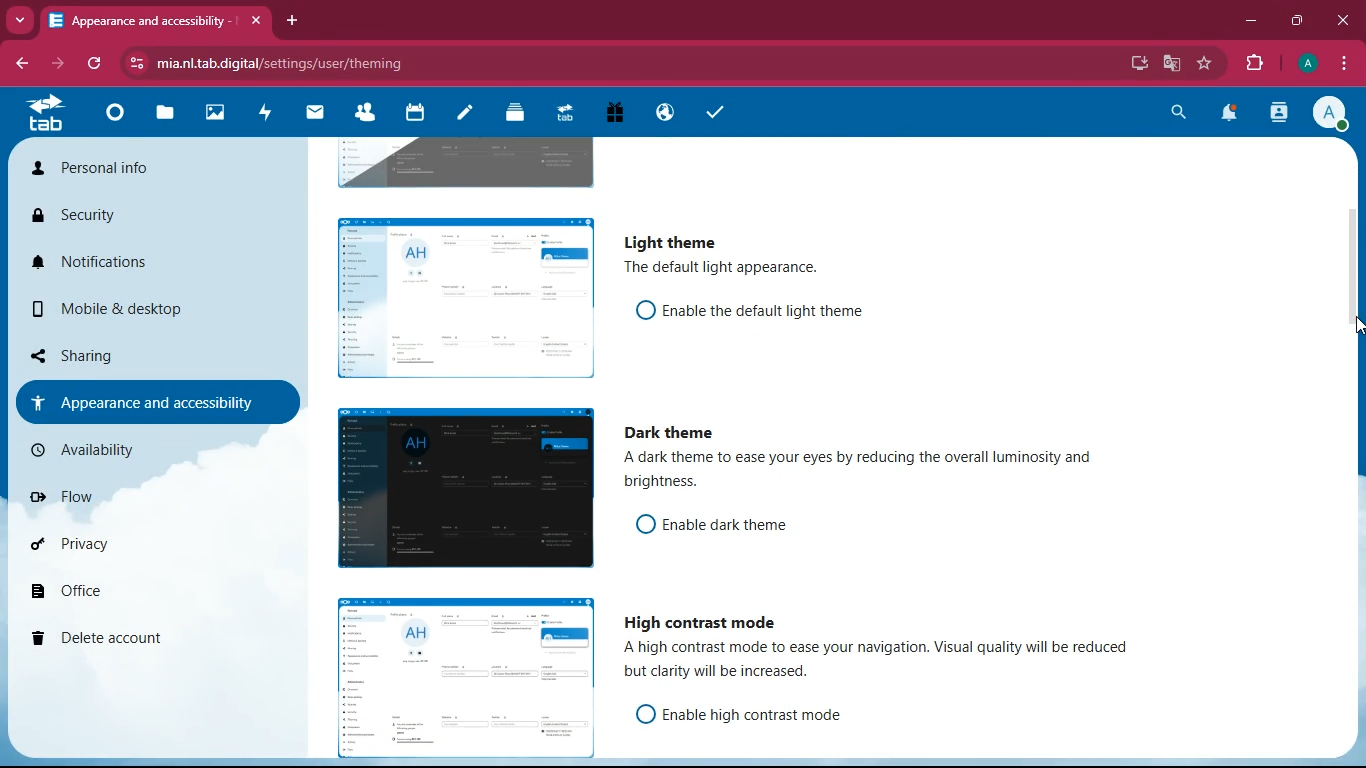  Describe the element at coordinates (639, 713) in the screenshot. I see `on/off button` at that location.